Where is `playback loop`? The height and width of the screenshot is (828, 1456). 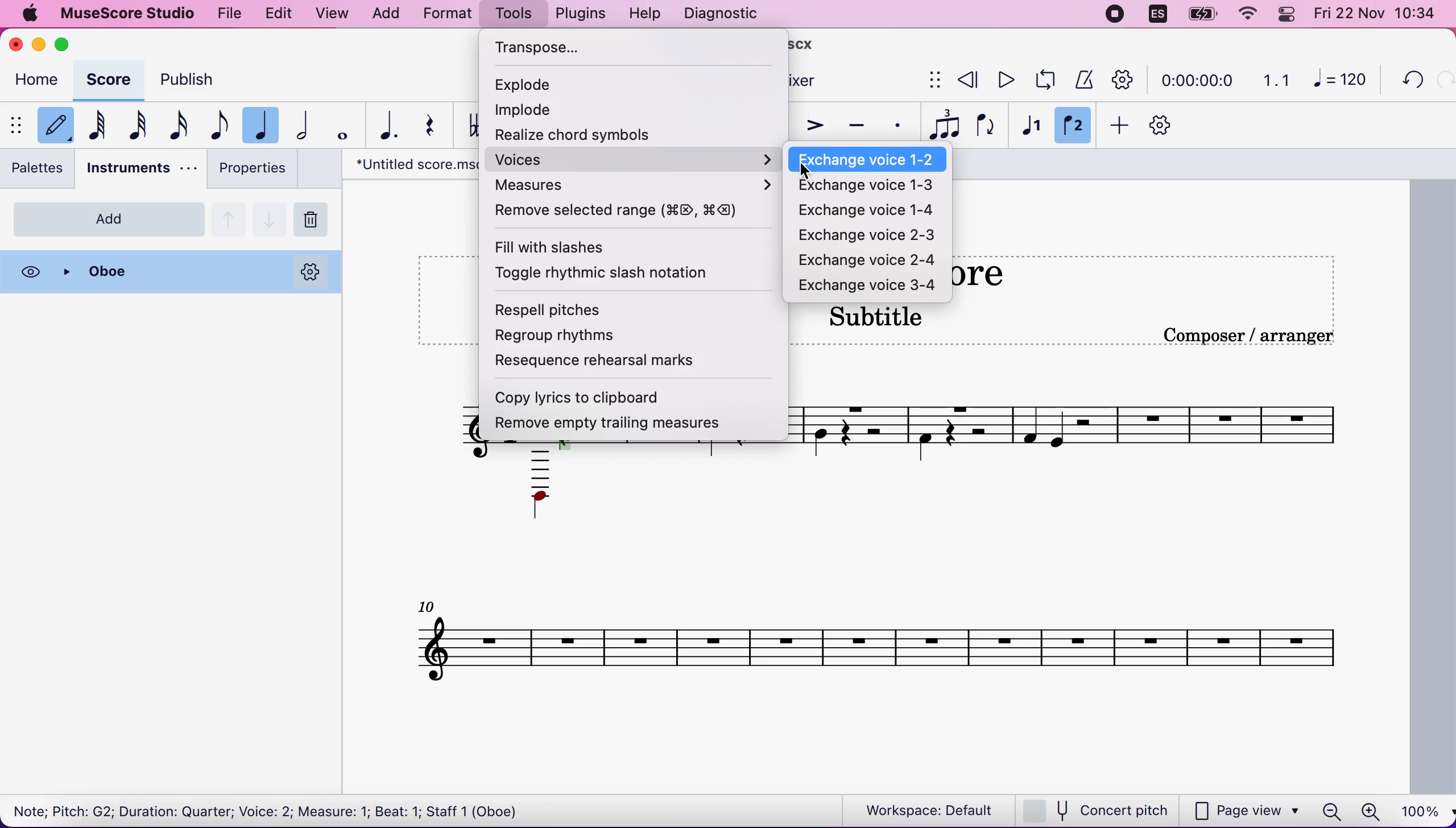
playback loop is located at coordinates (1042, 82).